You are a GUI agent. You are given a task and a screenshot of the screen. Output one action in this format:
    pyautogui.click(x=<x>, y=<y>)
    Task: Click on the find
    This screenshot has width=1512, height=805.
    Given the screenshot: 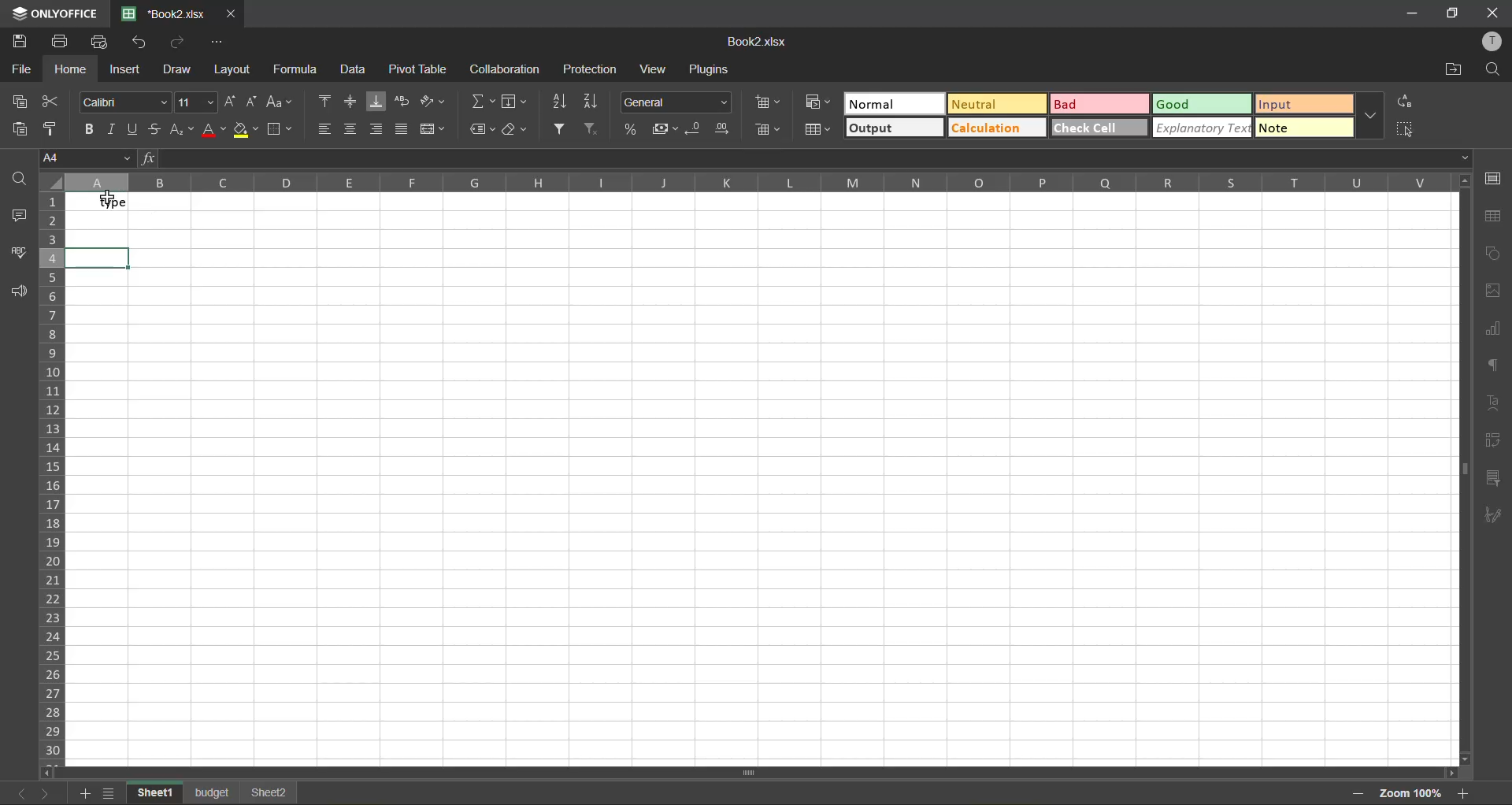 What is the action you would take?
    pyautogui.click(x=16, y=179)
    